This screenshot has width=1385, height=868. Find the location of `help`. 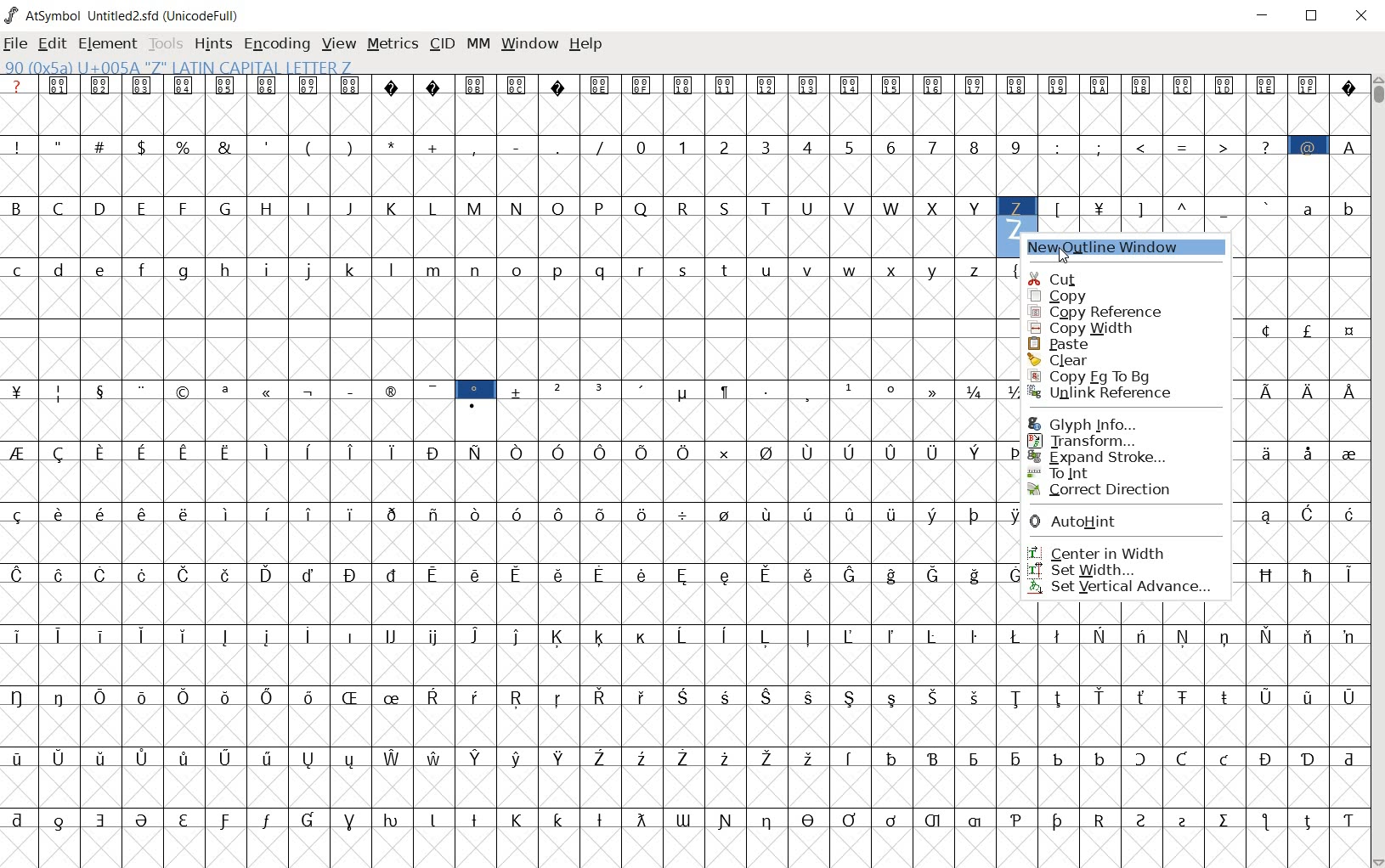

help is located at coordinates (587, 44).